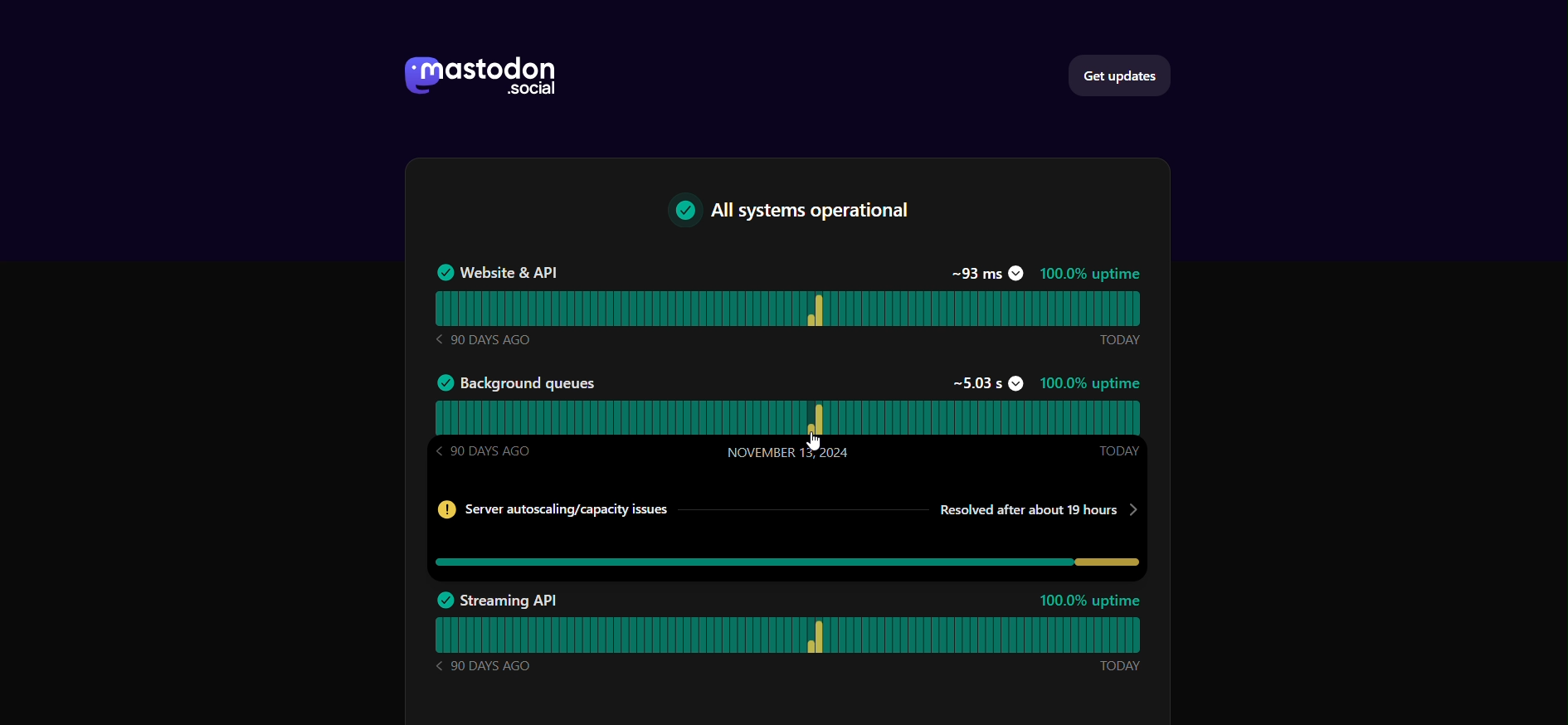  I want to click on 100.0% uptime, so click(1092, 601).